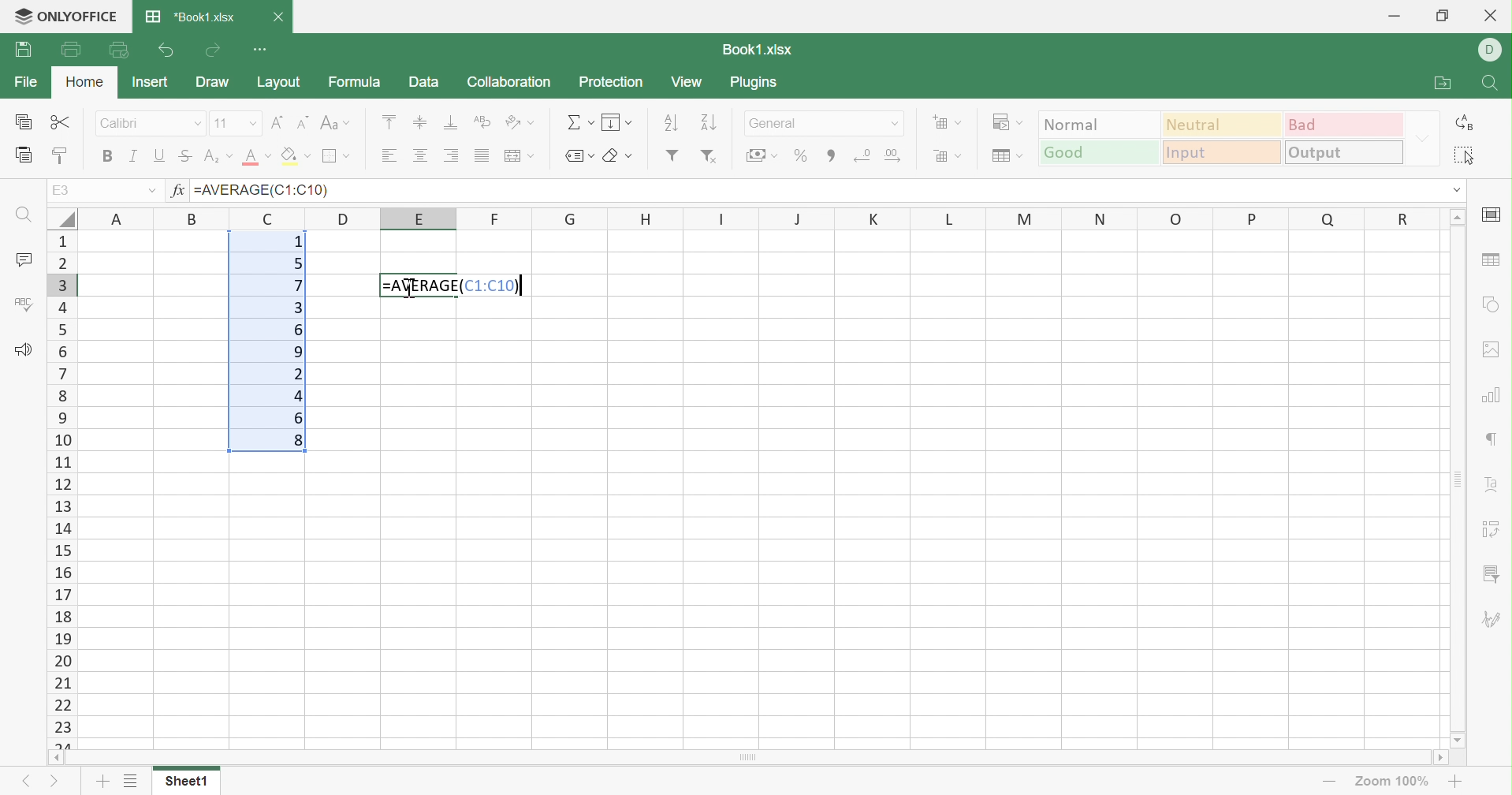  I want to click on Home, so click(86, 82).